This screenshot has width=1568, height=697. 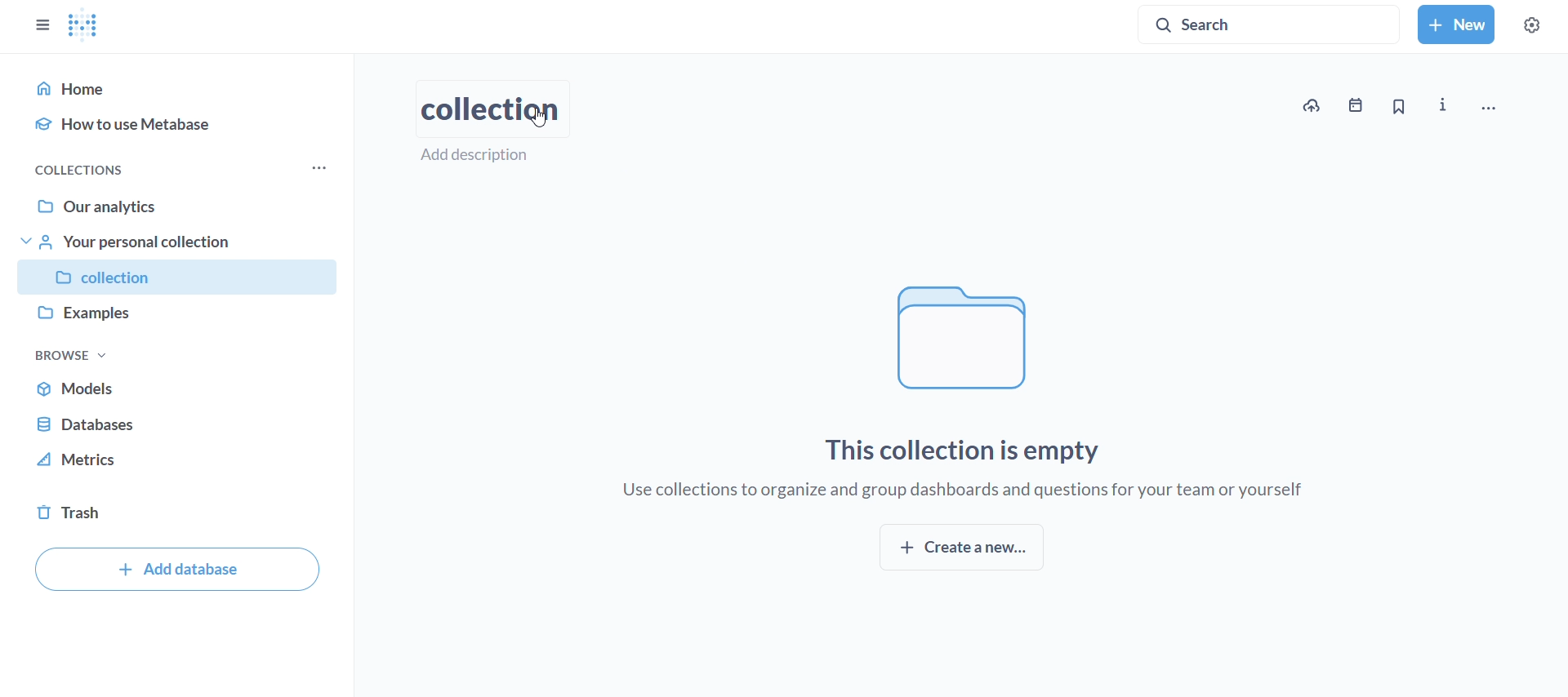 What do you see at coordinates (178, 123) in the screenshot?
I see `how to use metabase` at bounding box center [178, 123].